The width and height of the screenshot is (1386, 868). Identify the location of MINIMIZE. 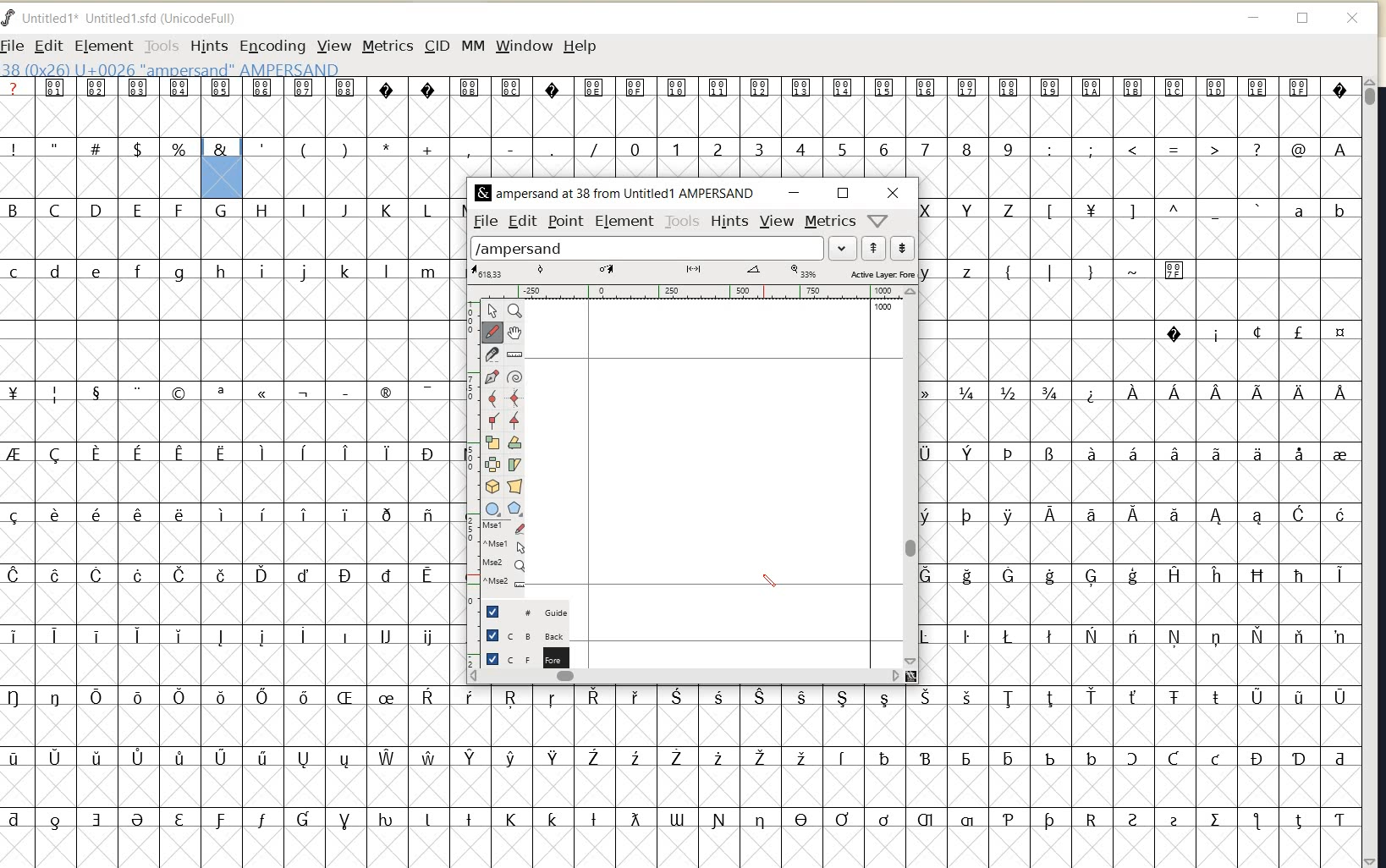
(798, 192).